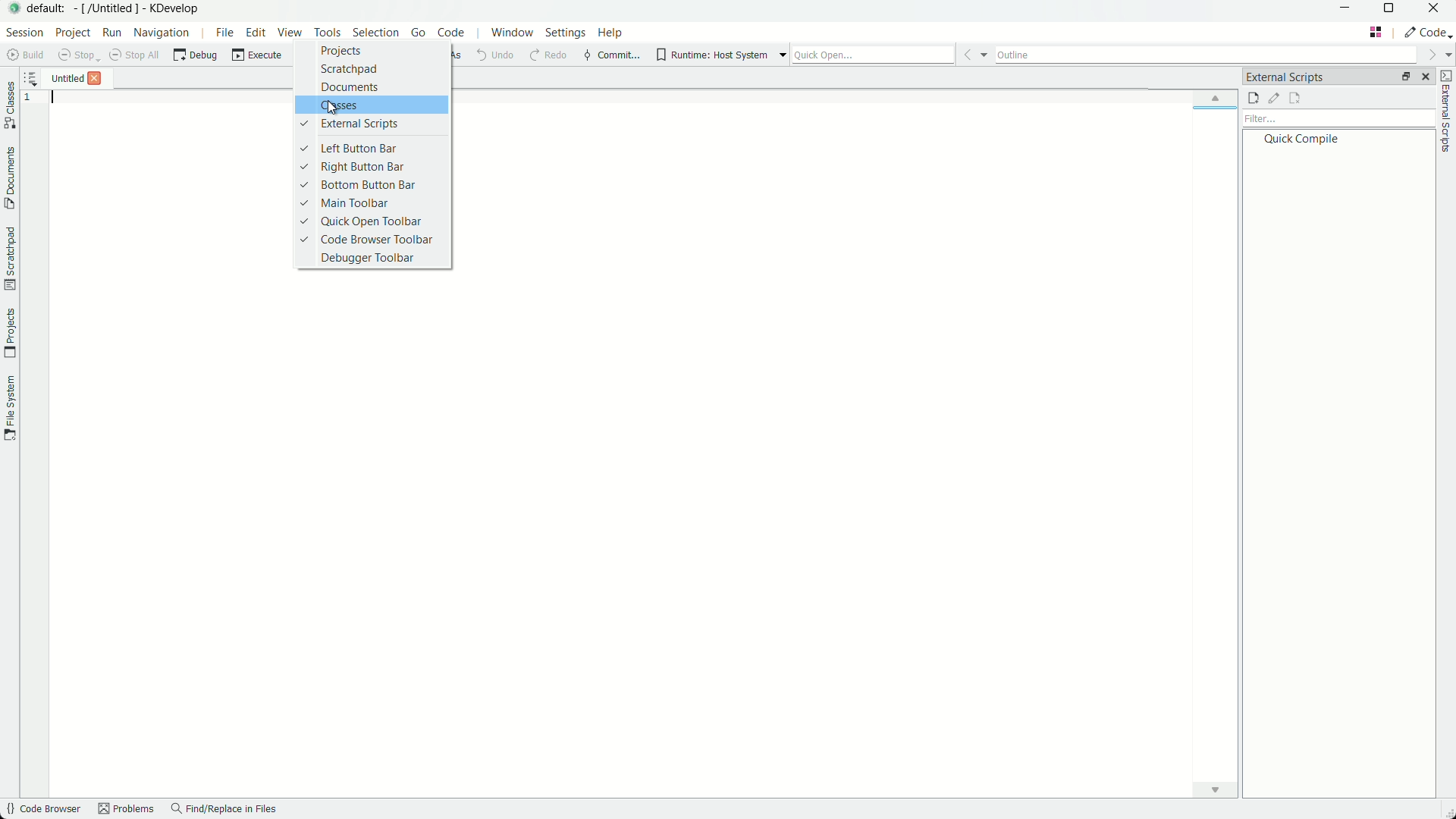  What do you see at coordinates (610, 34) in the screenshot?
I see `help` at bounding box center [610, 34].